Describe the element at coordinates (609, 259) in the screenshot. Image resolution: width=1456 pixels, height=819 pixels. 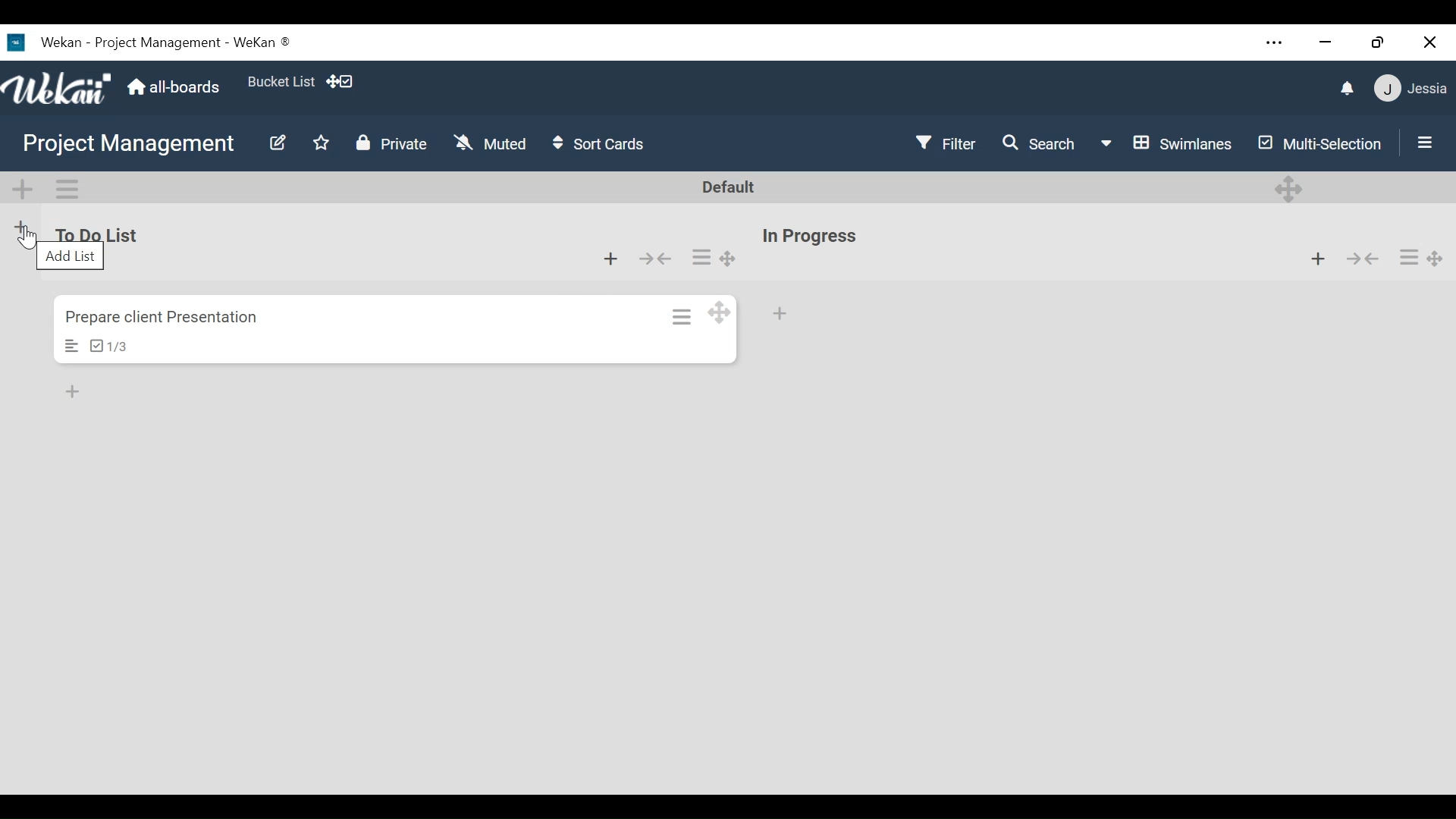
I see `Add card at the top of the list` at that location.